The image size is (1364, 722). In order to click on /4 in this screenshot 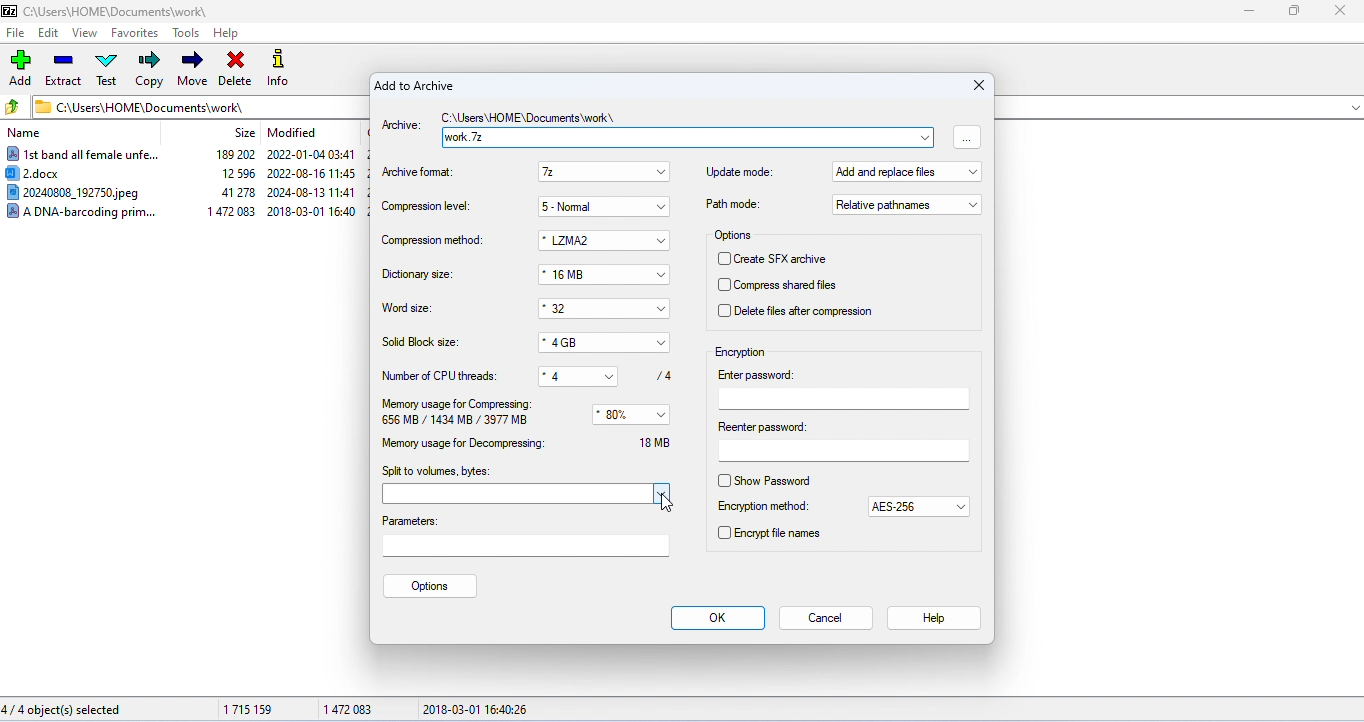, I will do `click(660, 375)`.